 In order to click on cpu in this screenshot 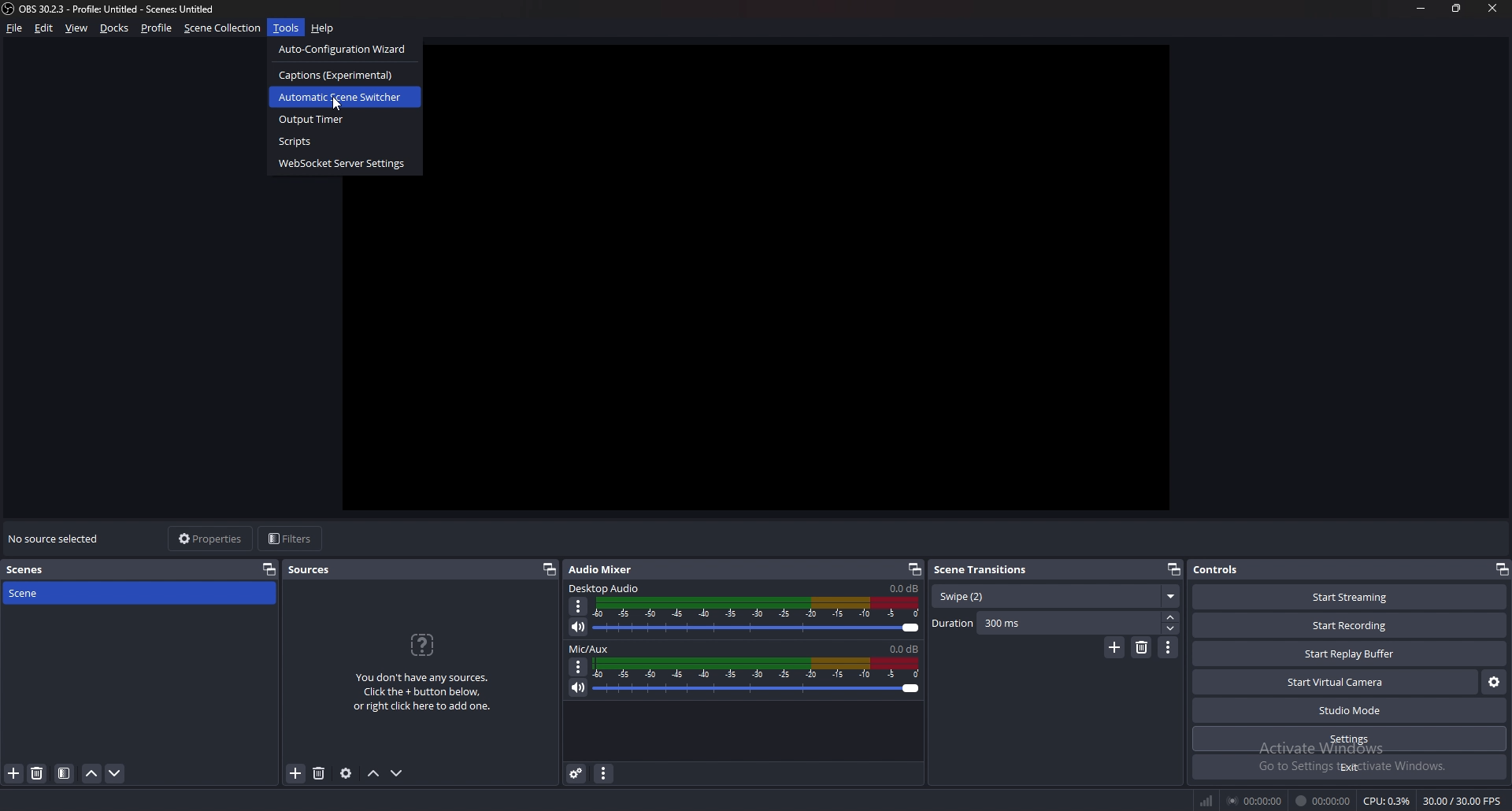, I will do `click(1387, 801)`.